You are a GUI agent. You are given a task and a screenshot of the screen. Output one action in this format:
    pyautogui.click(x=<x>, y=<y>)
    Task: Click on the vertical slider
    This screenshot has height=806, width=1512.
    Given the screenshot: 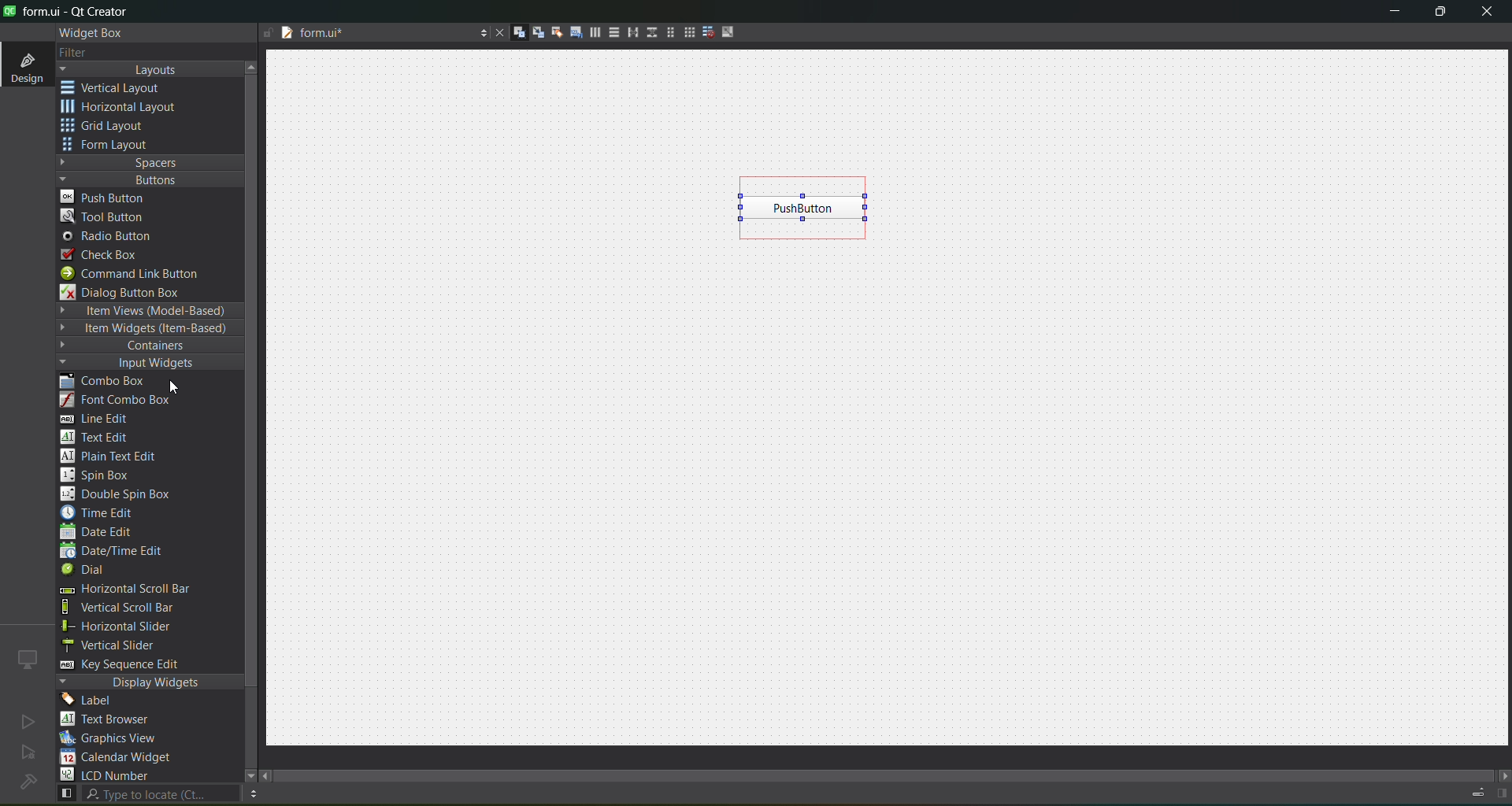 What is the action you would take?
    pyautogui.click(x=124, y=645)
    